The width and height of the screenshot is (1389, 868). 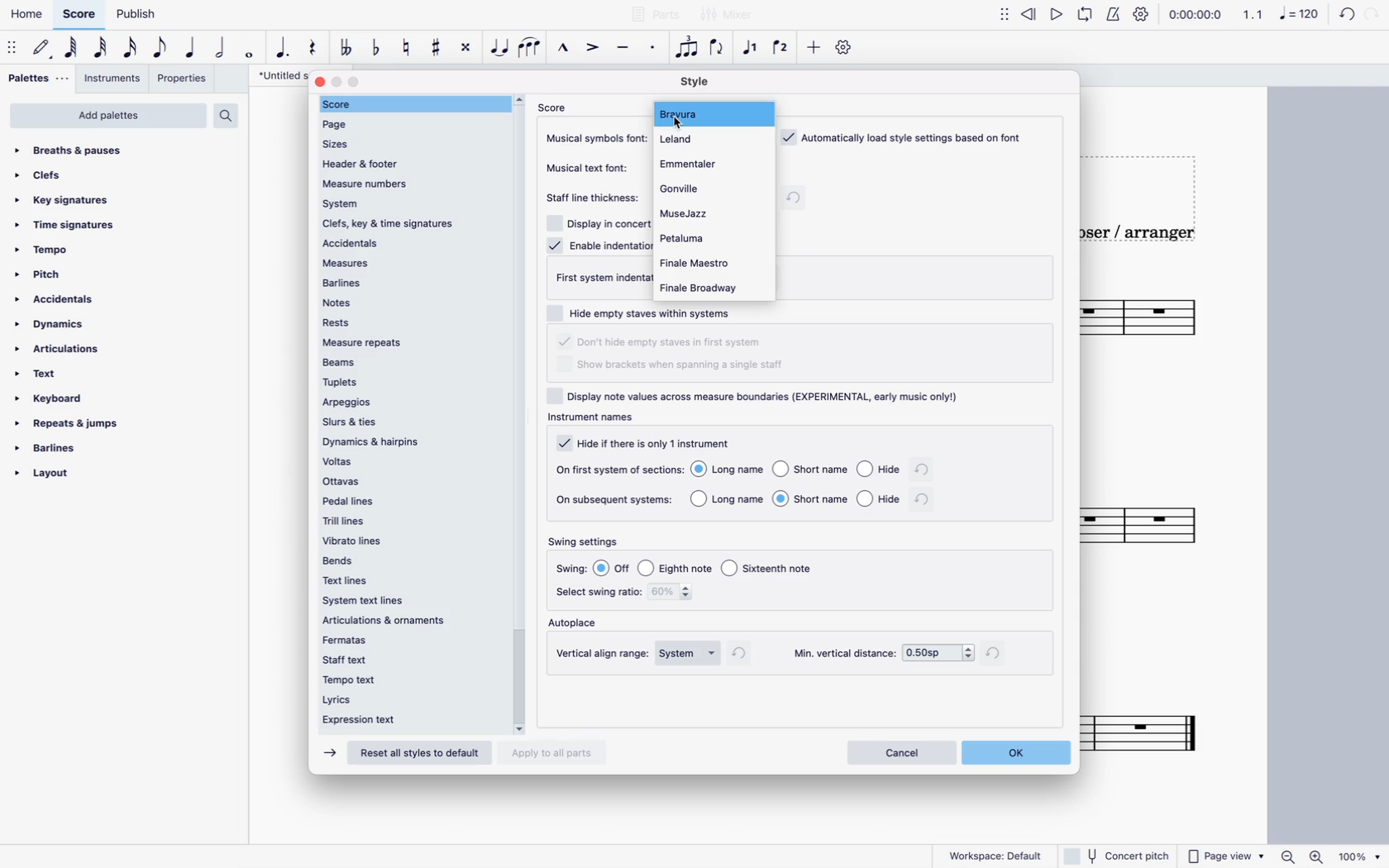 I want to click on barlines, so click(x=410, y=283).